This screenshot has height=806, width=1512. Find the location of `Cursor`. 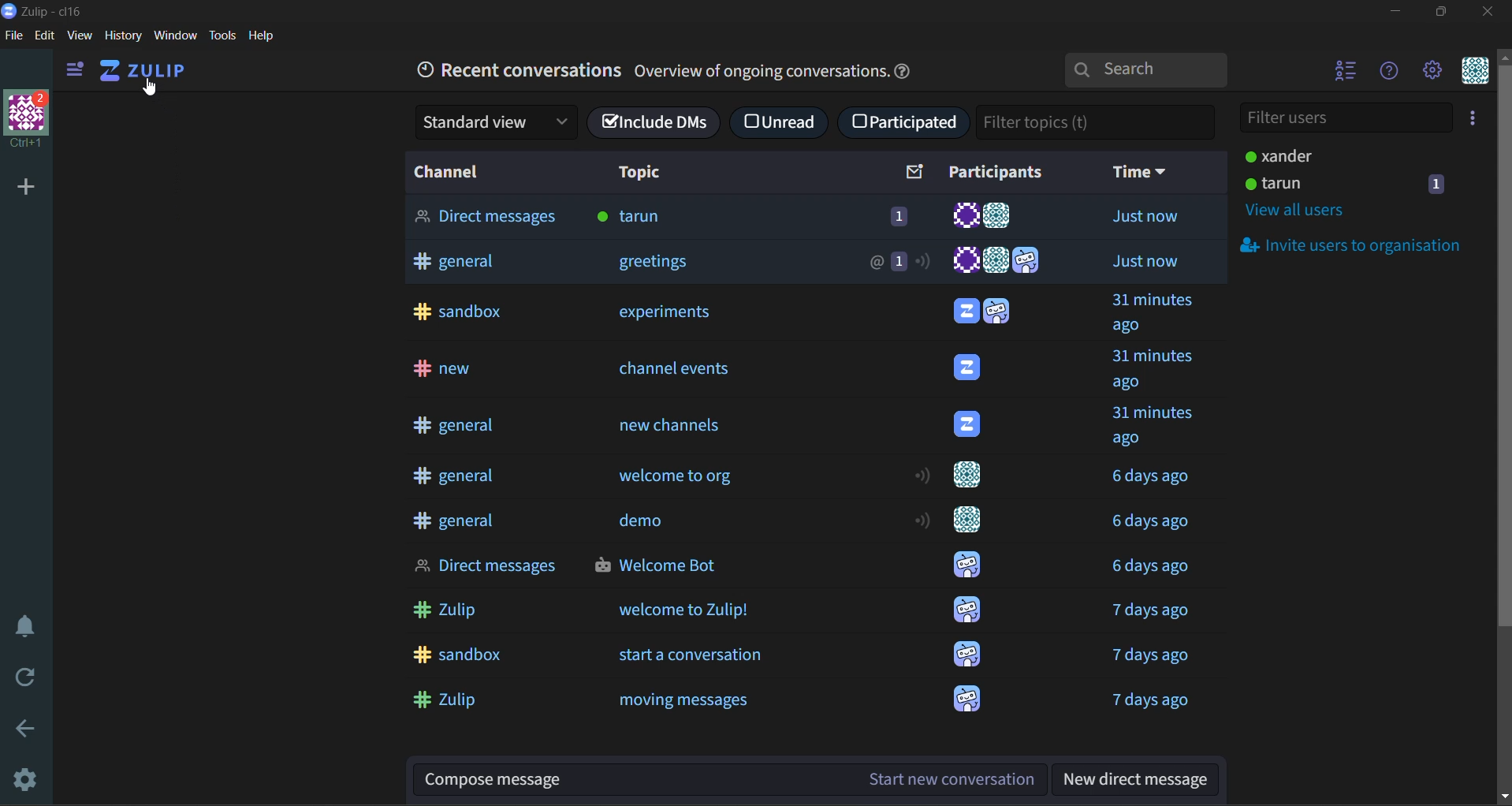

Cursor is located at coordinates (151, 91).